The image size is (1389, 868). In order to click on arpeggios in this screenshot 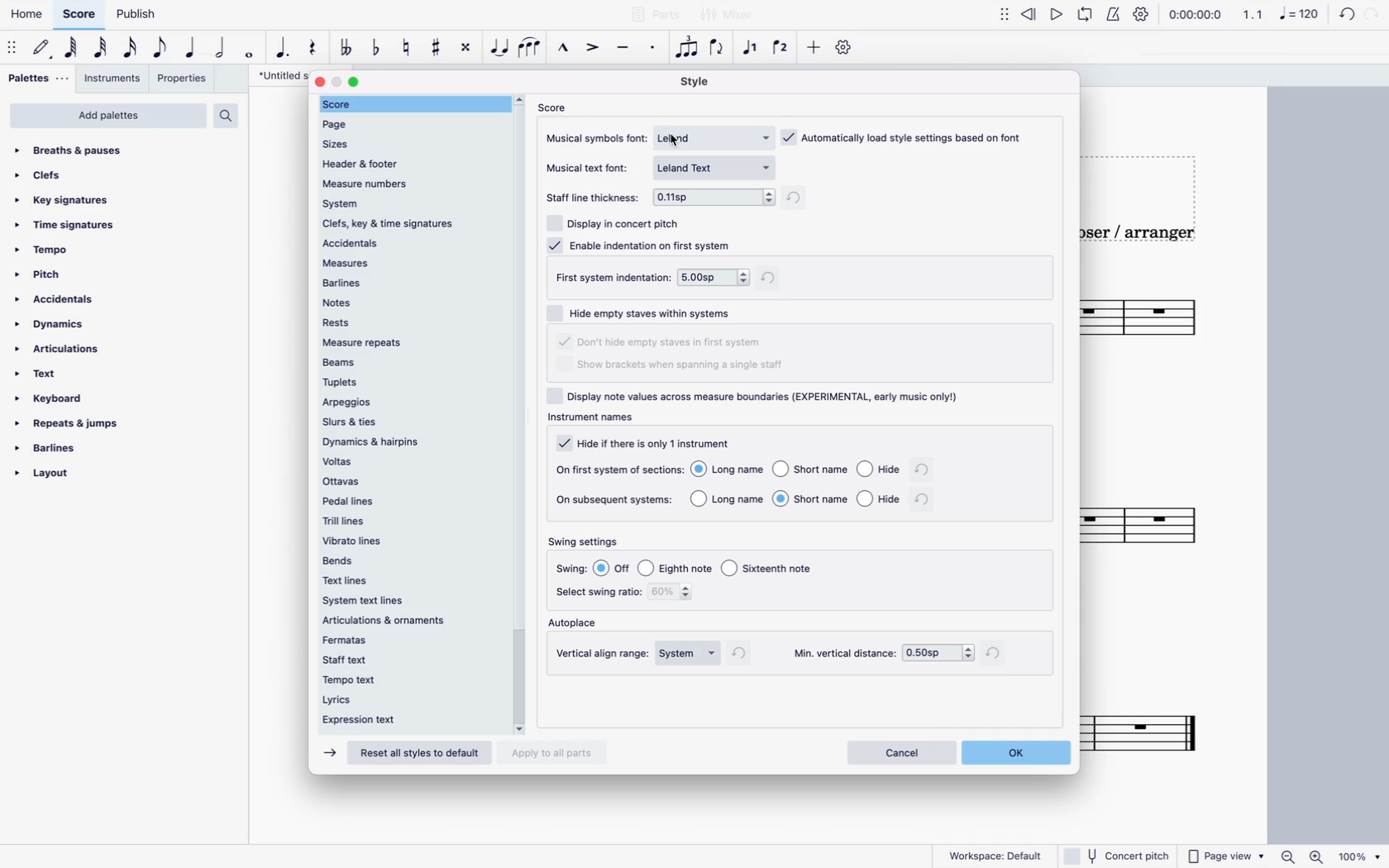, I will do `click(410, 402)`.